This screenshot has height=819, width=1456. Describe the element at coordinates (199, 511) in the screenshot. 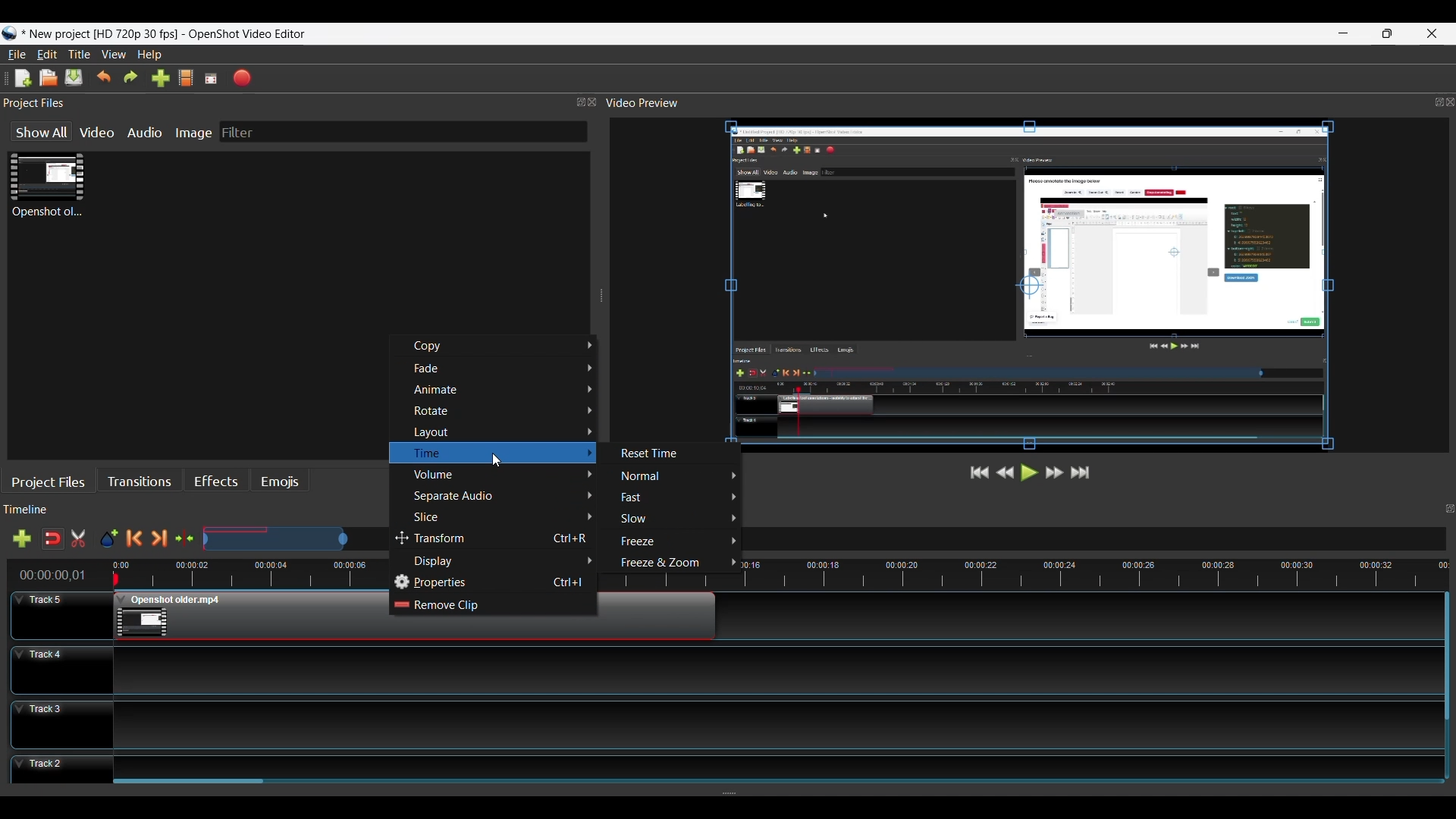

I see `Timeline Panel` at that location.